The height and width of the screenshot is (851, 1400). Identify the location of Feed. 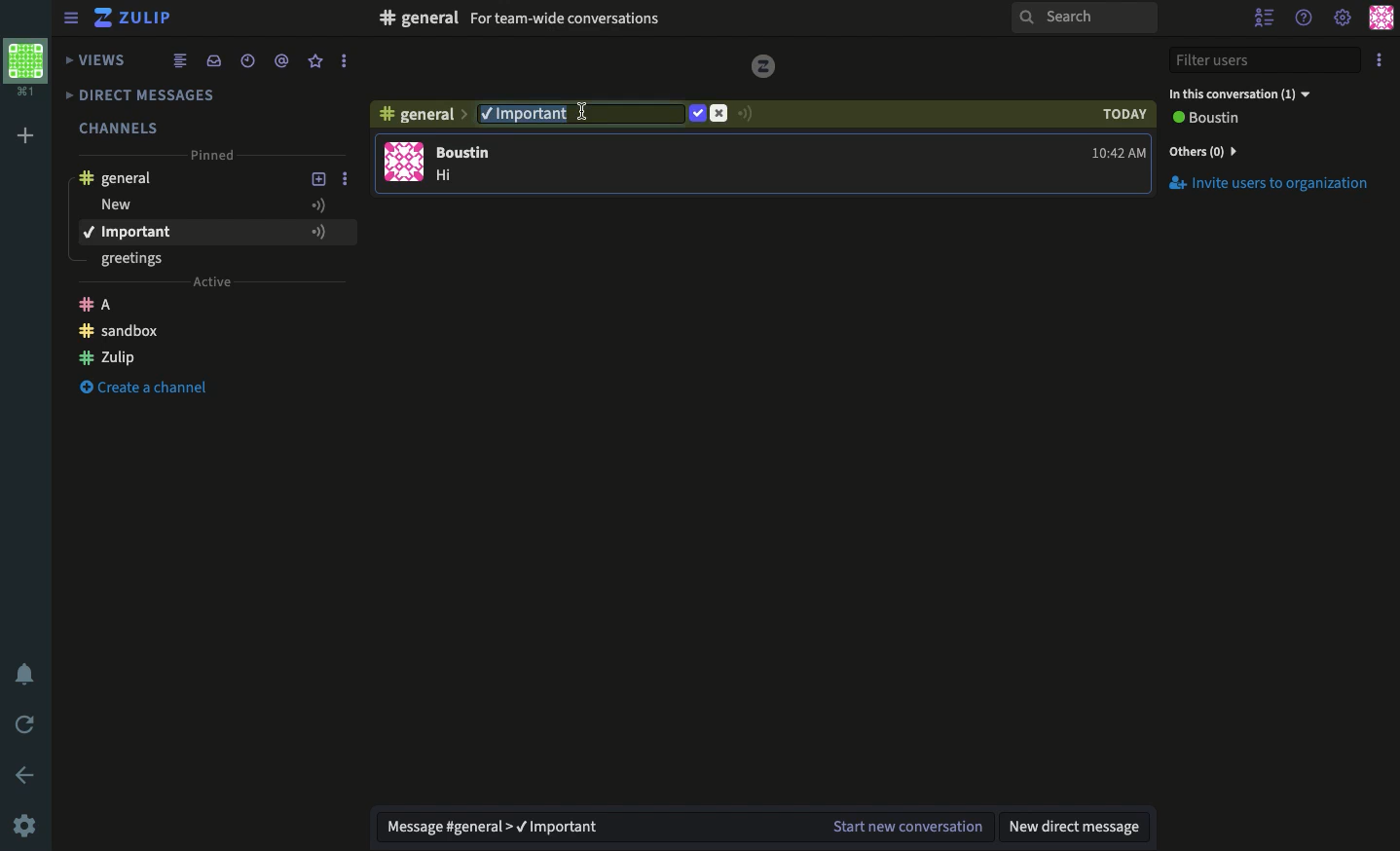
(182, 59).